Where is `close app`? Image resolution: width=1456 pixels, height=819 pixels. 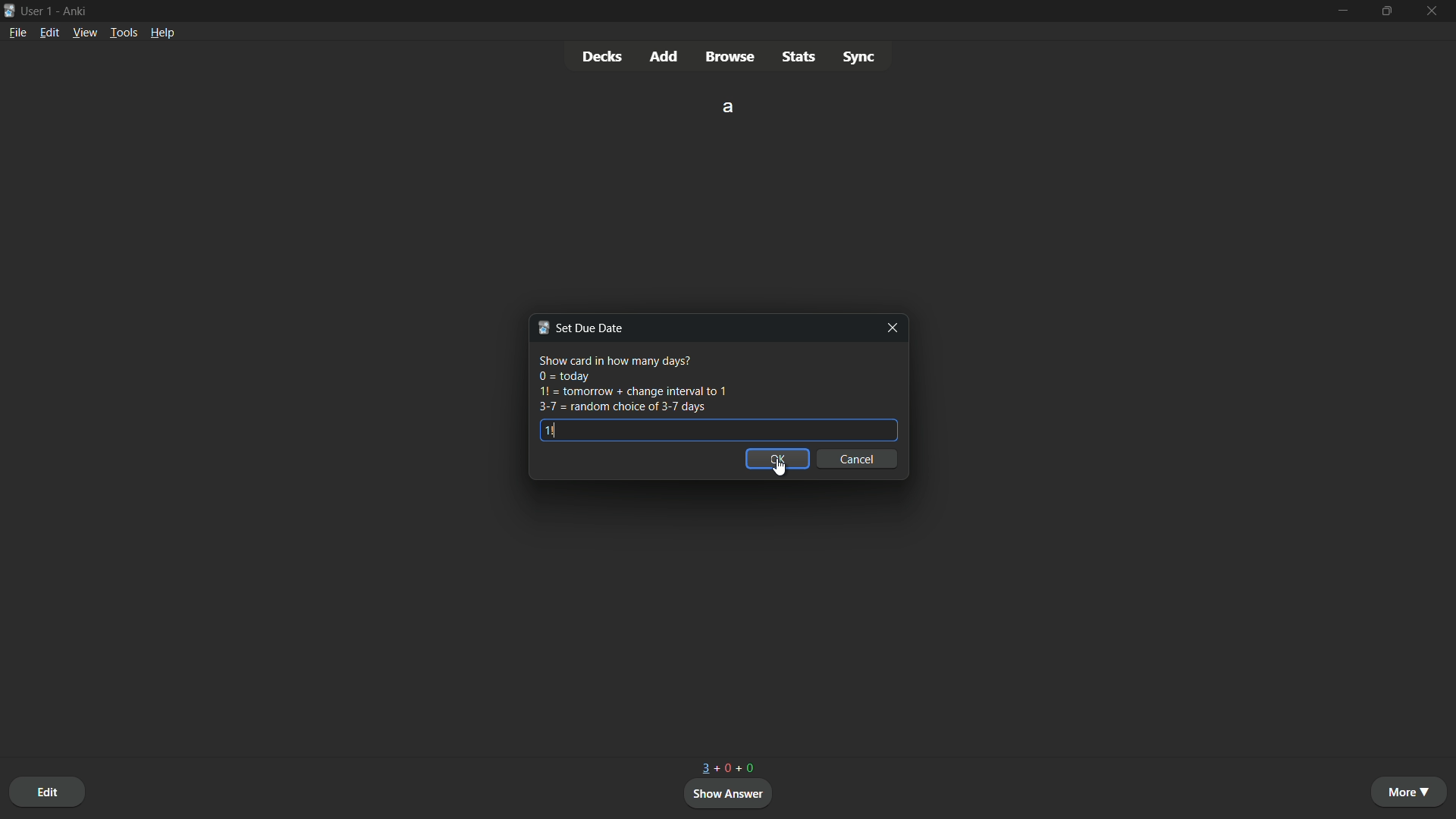 close app is located at coordinates (1435, 11).